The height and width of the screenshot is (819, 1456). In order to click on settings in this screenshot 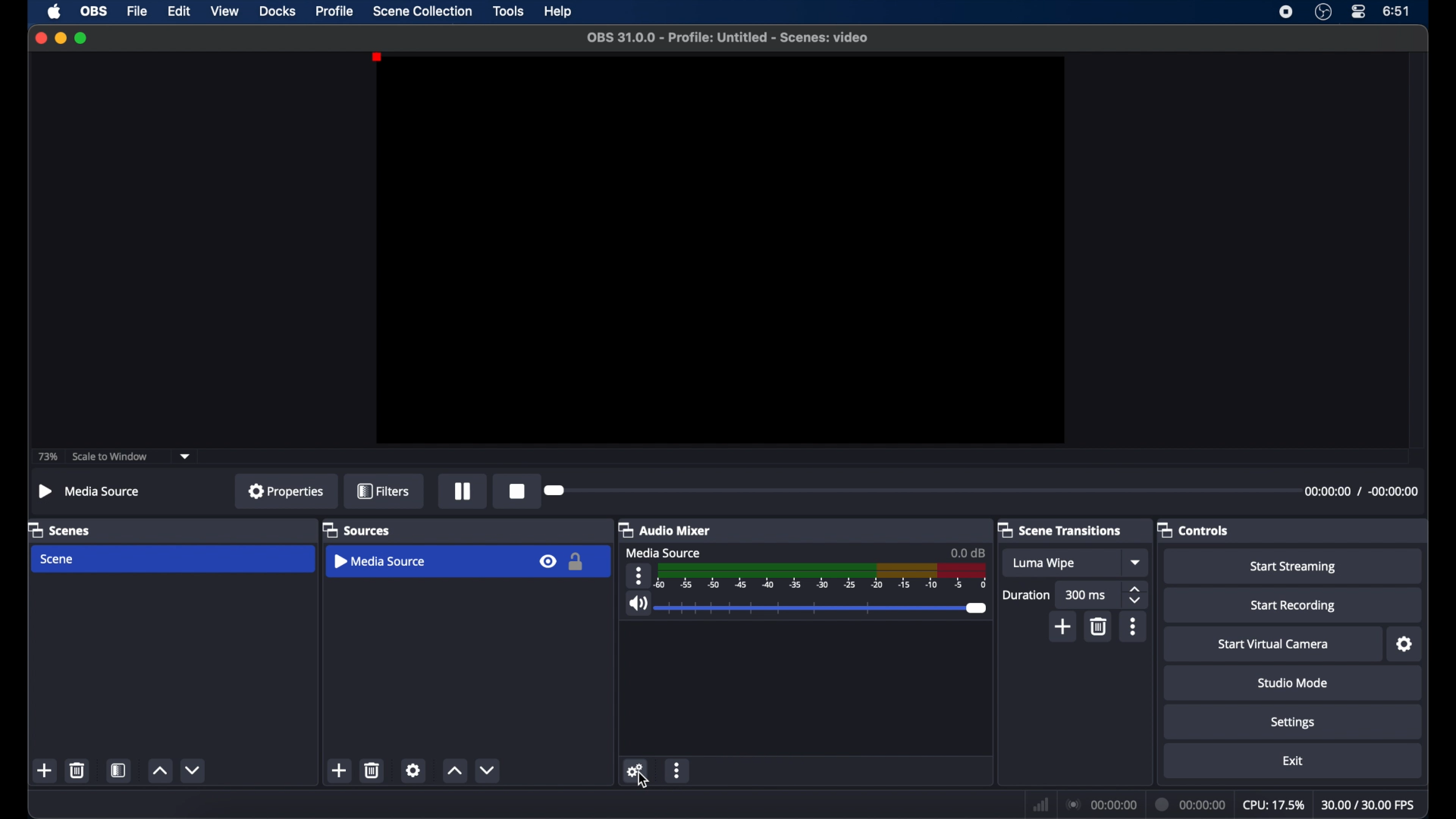, I will do `click(414, 770)`.